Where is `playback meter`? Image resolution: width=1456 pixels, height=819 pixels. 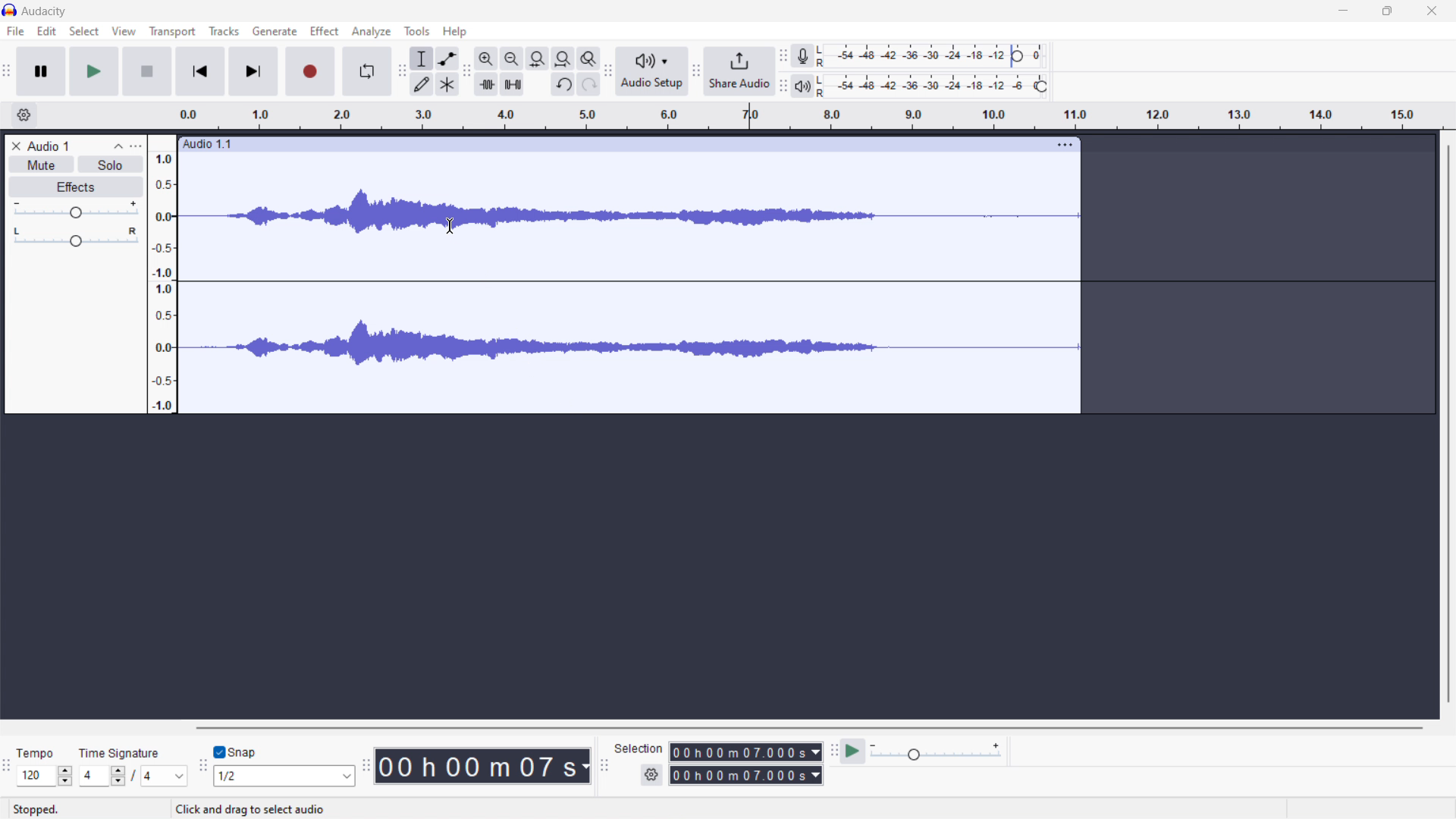
playback meter is located at coordinates (804, 86).